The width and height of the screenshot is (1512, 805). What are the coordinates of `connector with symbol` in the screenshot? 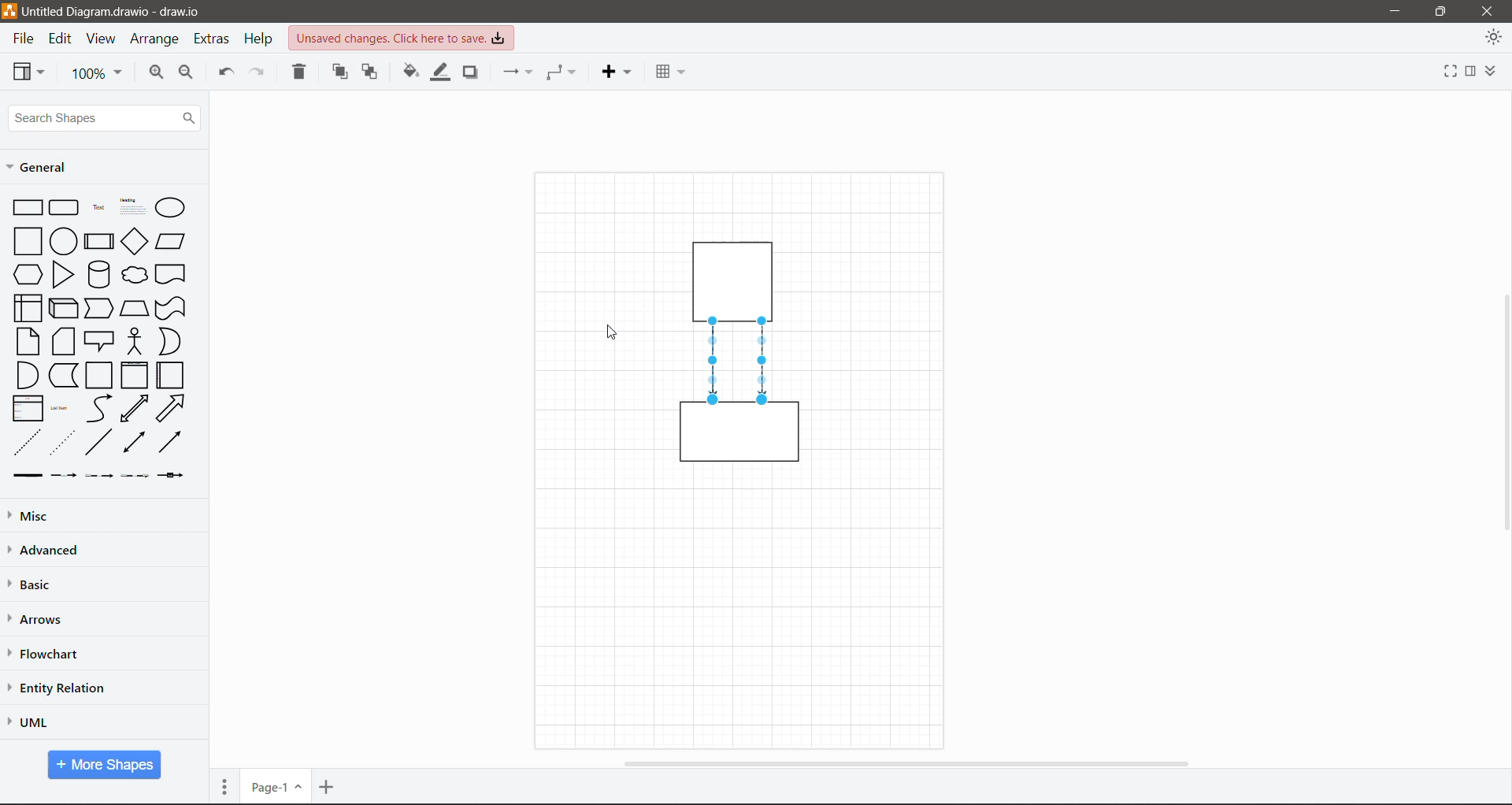 It's located at (175, 475).